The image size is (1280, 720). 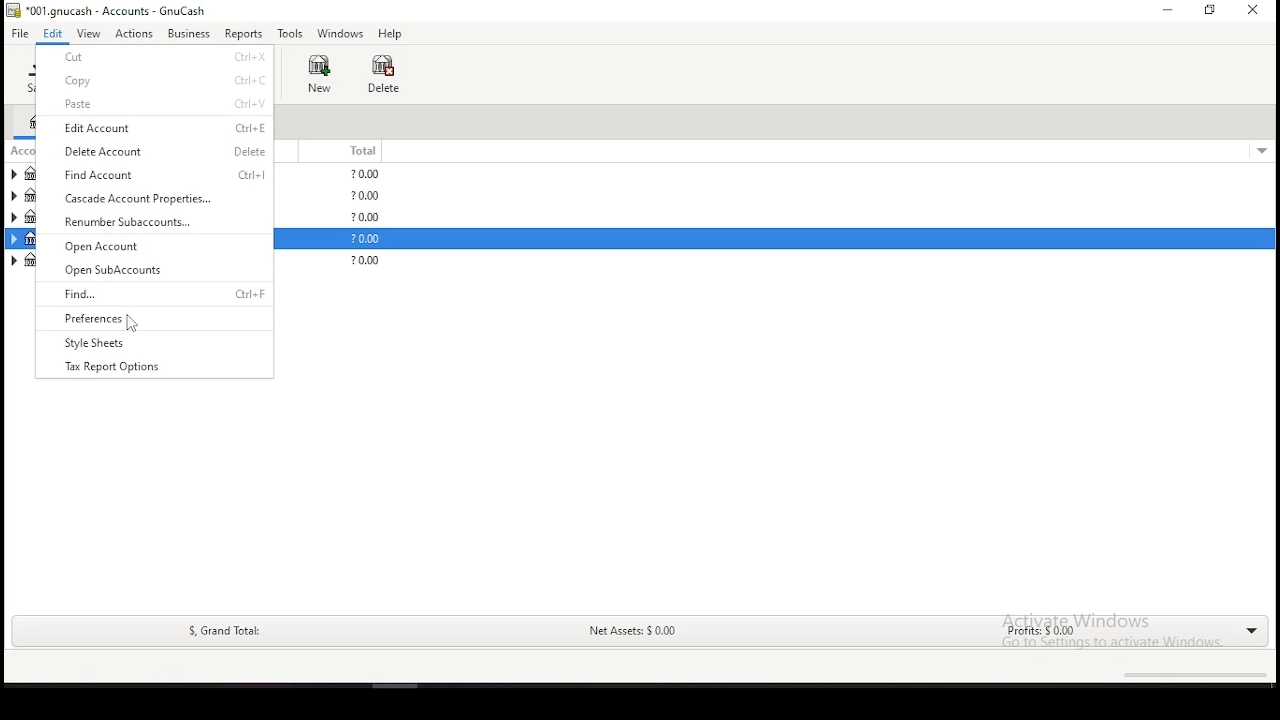 What do you see at coordinates (132, 324) in the screenshot?
I see `mouse pointer` at bounding box center [132, 324].